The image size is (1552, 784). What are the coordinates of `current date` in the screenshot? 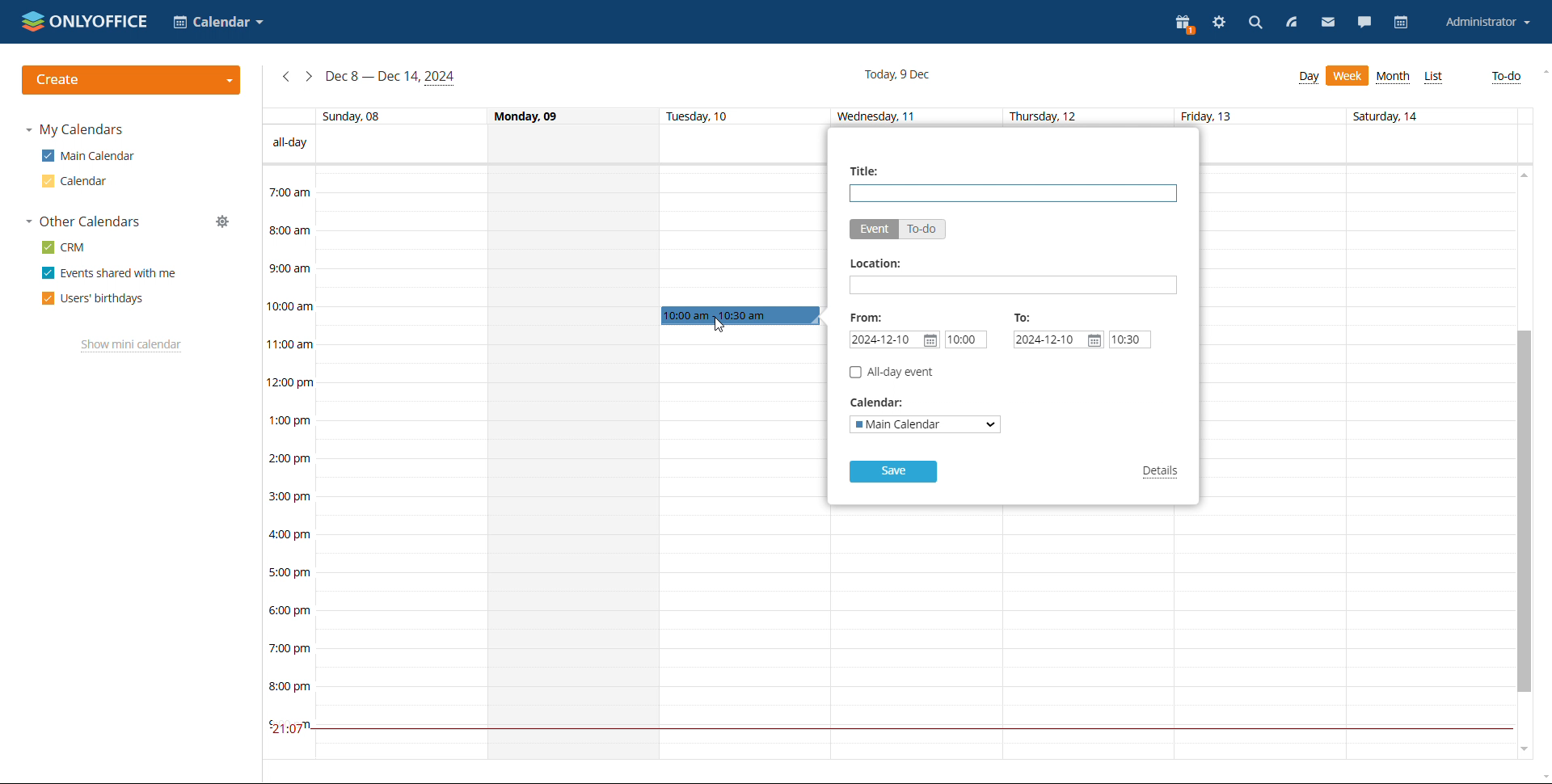 It's located at (900, 74).